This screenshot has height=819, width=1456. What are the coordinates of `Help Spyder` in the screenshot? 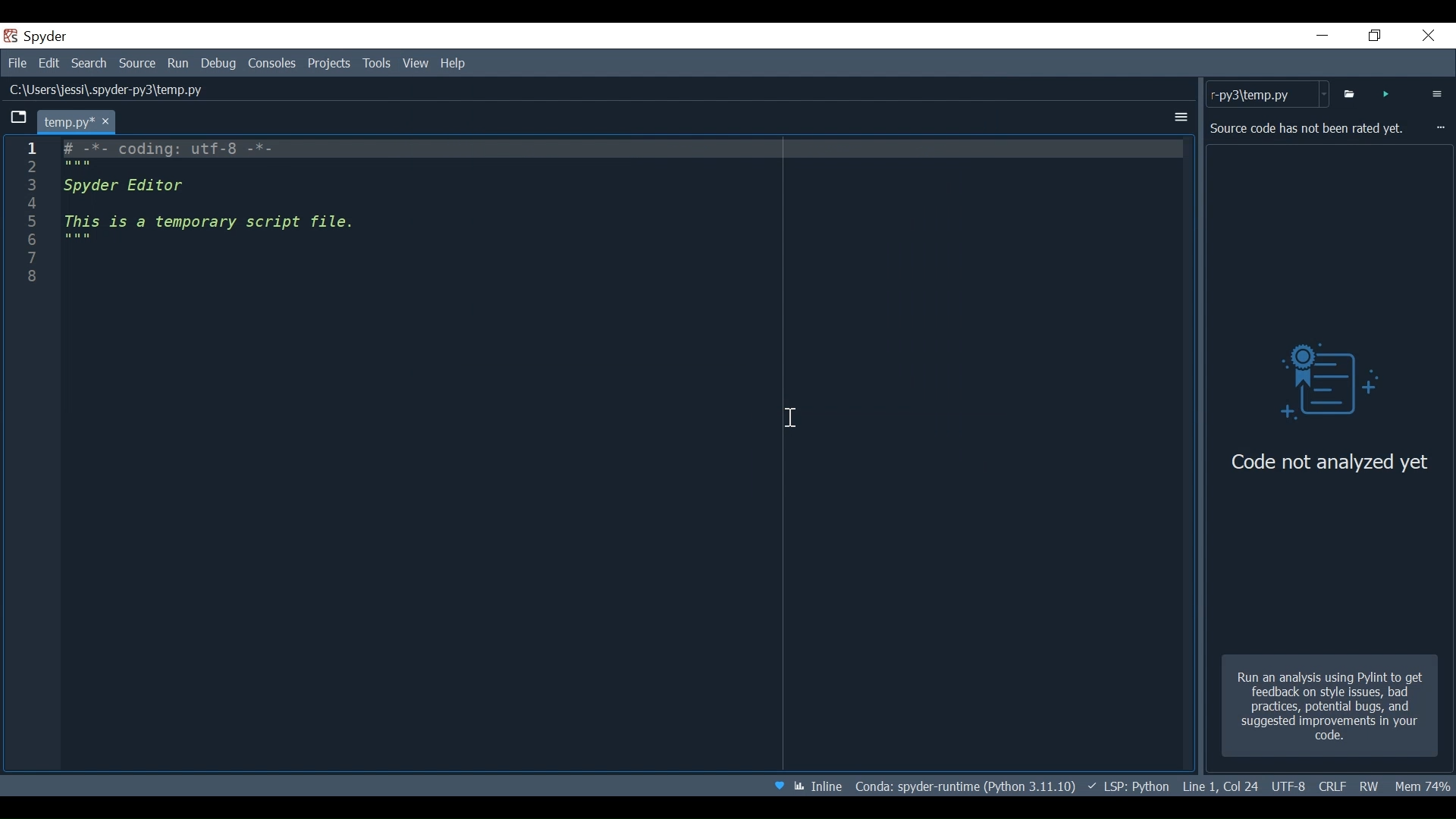 It's located at (780, 786).